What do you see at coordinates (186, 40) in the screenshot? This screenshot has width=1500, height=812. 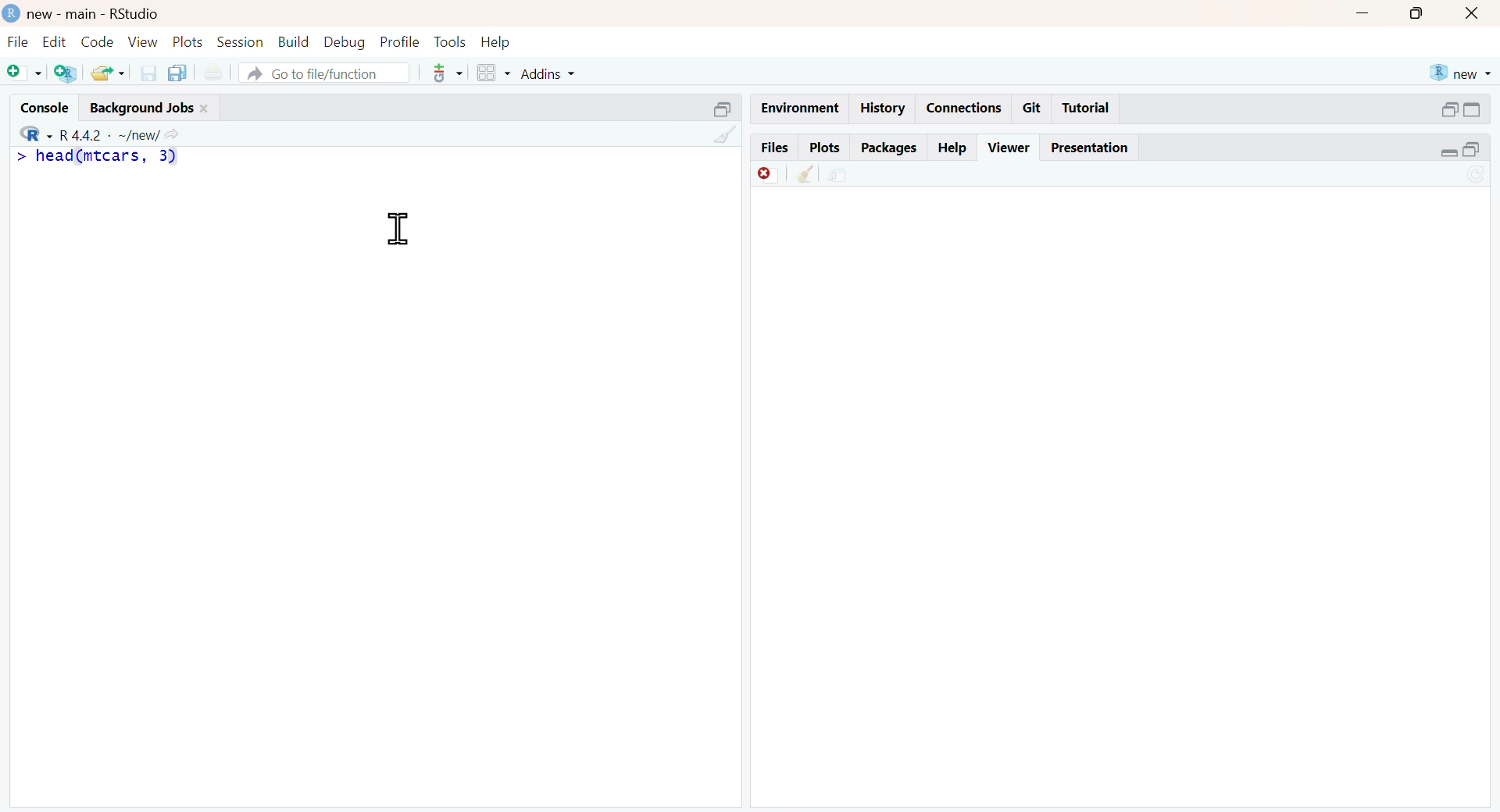 I see `Plots` at bounding box center [186, 40].